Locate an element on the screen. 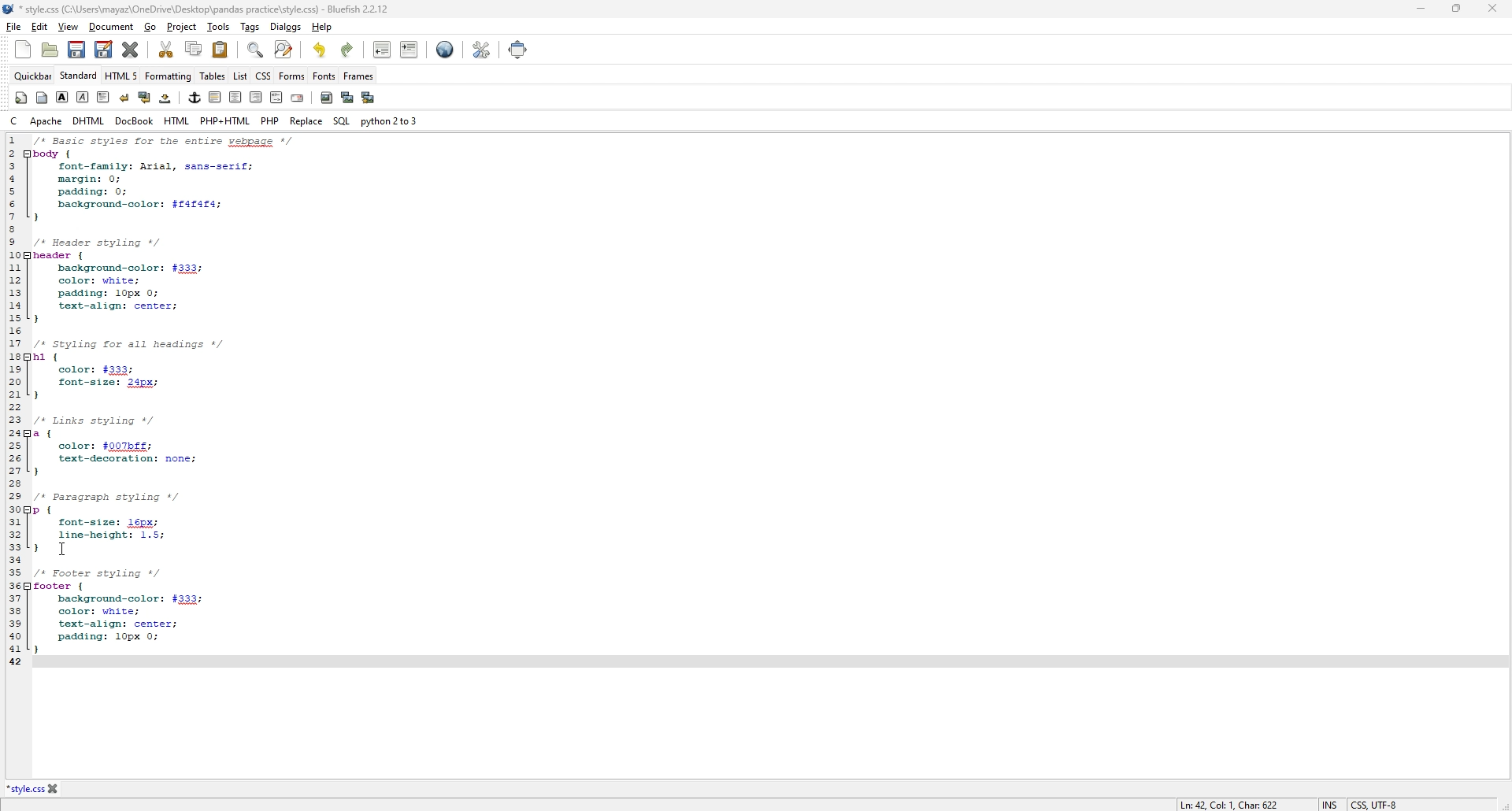  new is located at coordinates (23, 49).